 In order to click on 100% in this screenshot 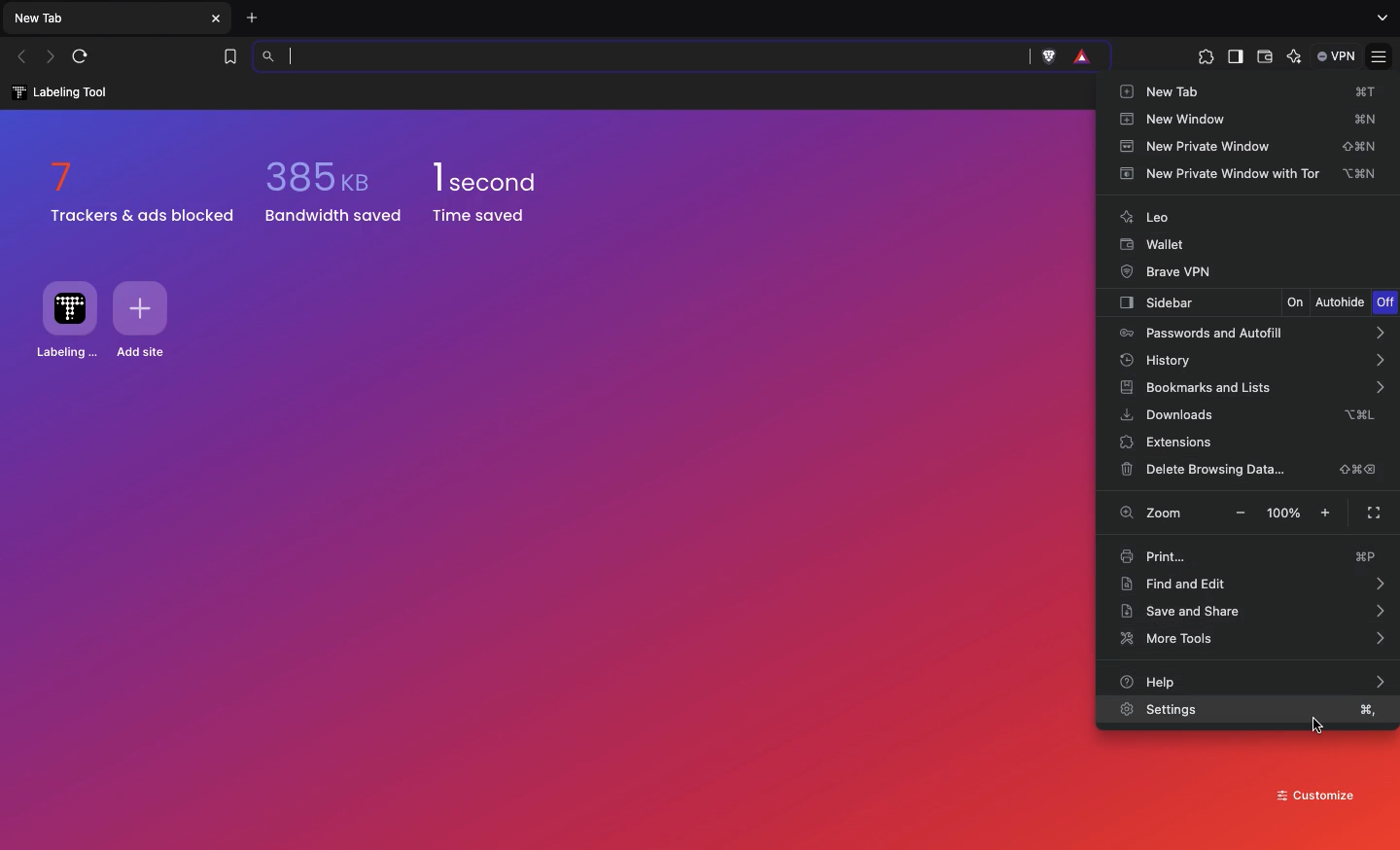, I will do `click(1285, 513)`.